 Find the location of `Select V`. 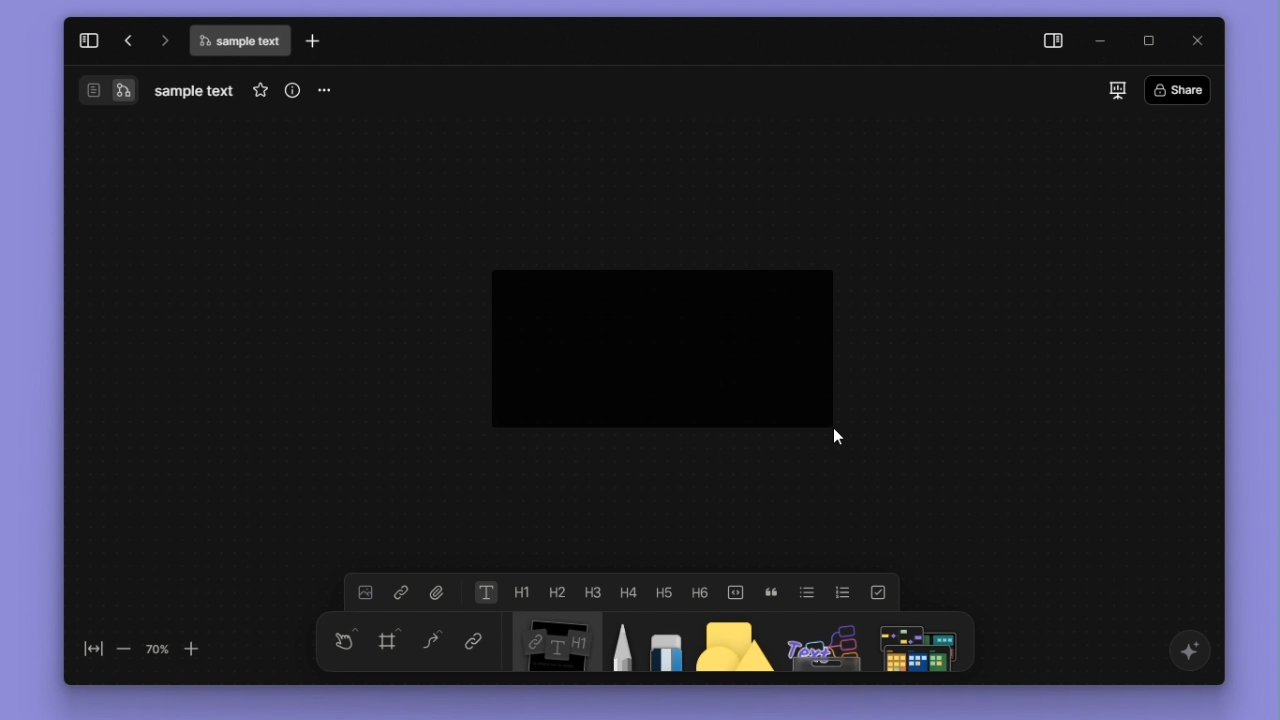

Select V is located at coordinates (341, 638).